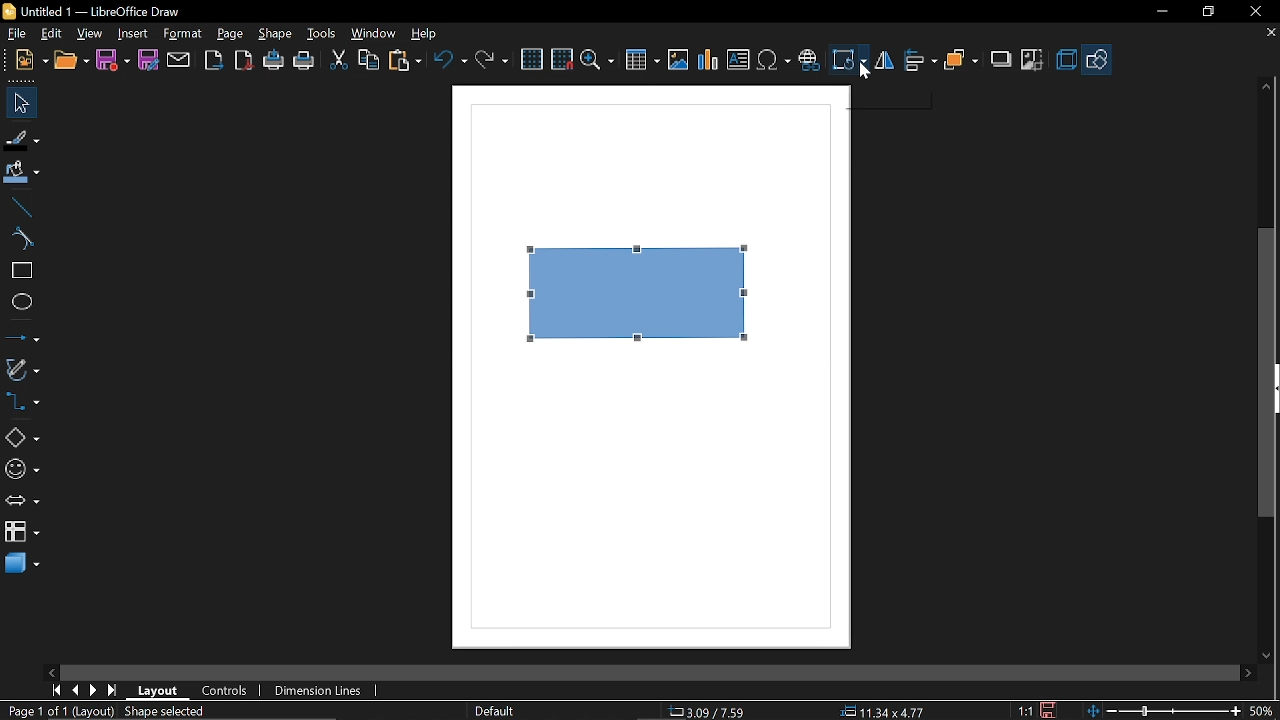 Image resolution: width=1280 pixels, height=720 pixels. Describe the element at coordinates (490, 59) in the screenshot. I see `Redo` at that location.